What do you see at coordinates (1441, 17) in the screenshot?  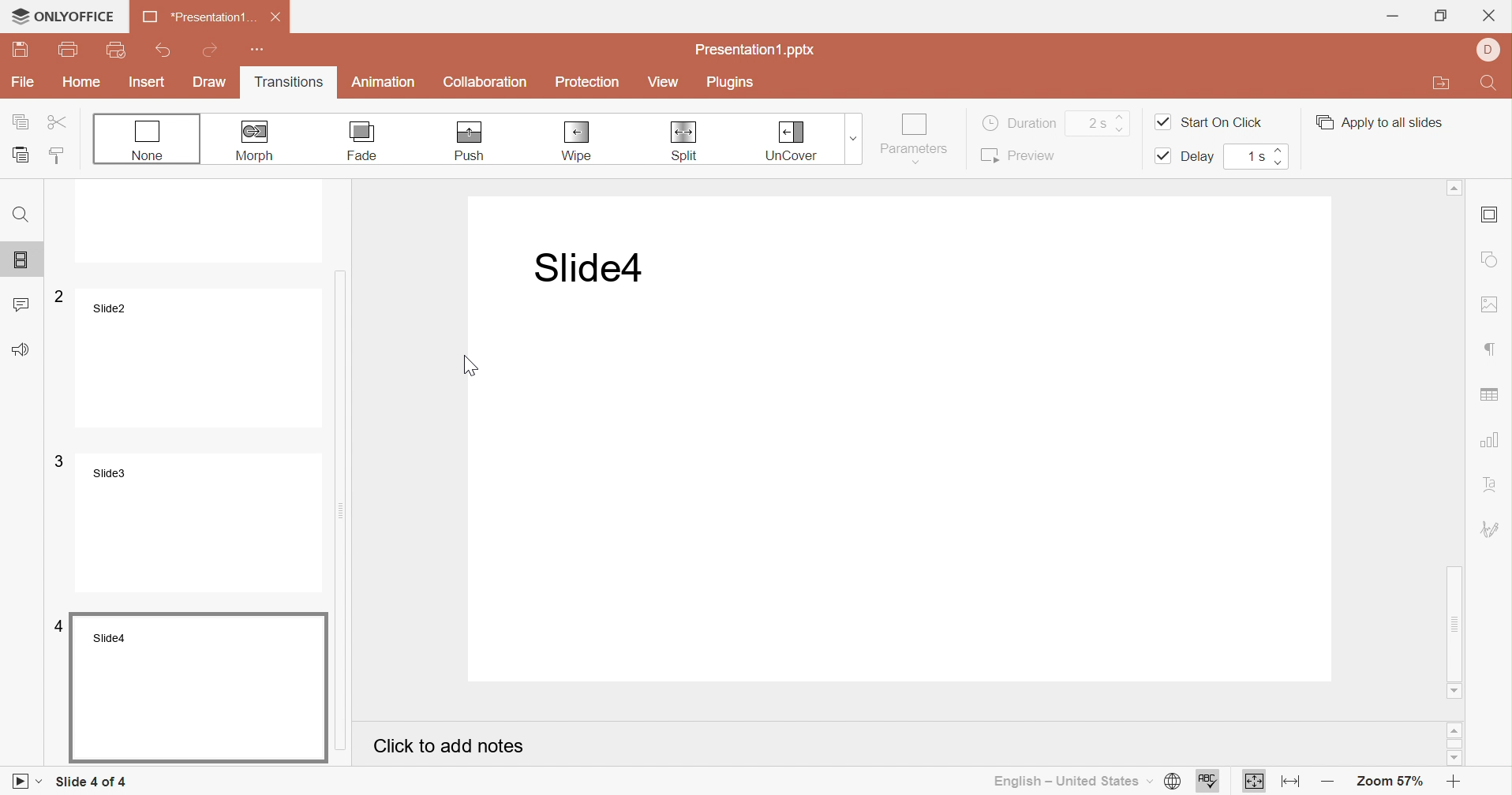 I see `Restore down` at bounding box center [1441, 17].